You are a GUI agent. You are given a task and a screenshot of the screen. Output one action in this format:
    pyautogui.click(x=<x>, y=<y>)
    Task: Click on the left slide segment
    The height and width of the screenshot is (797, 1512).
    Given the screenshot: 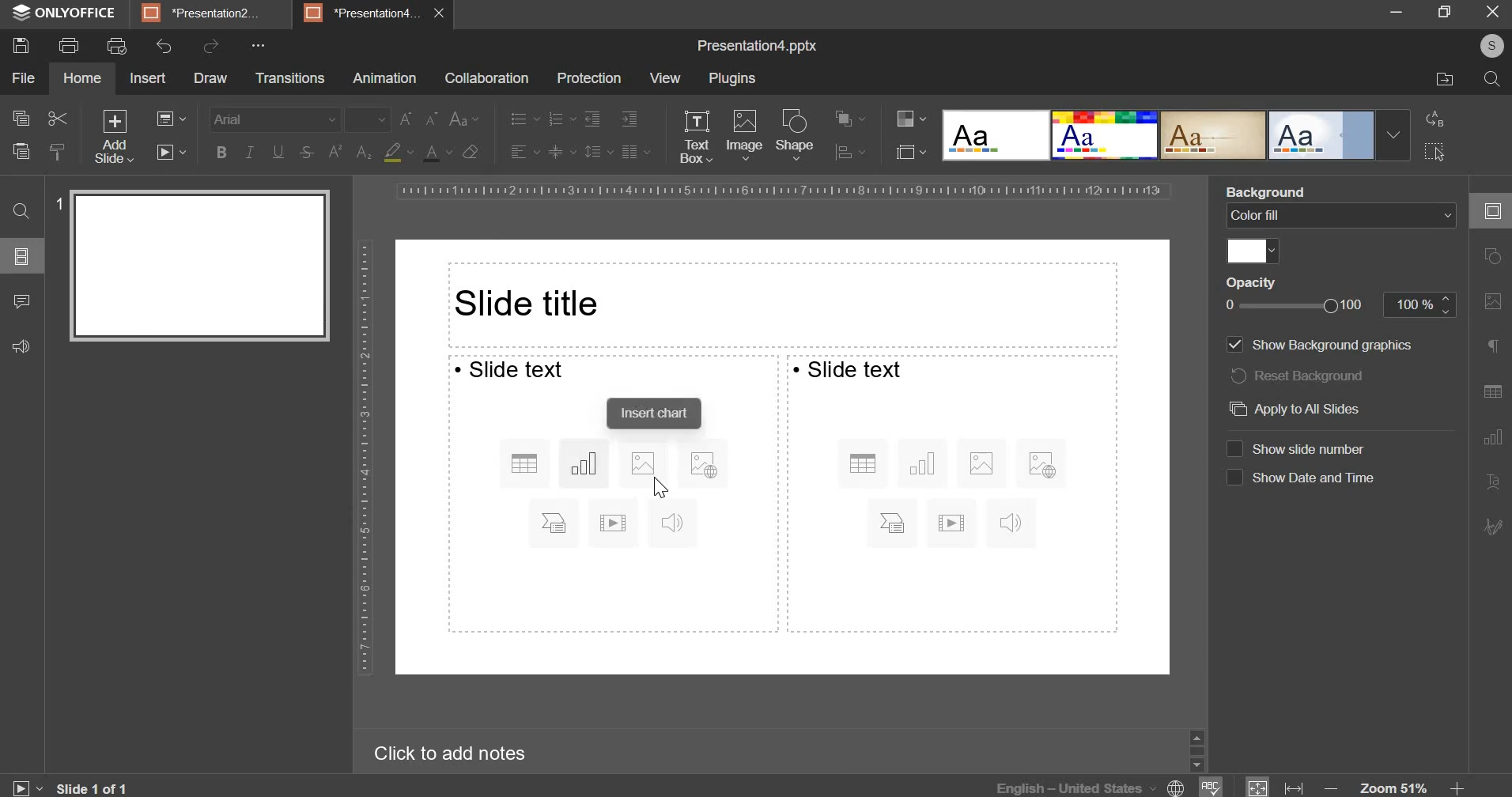 What is the action you would take?
    pyautogui.click(x=611, y=494)
    